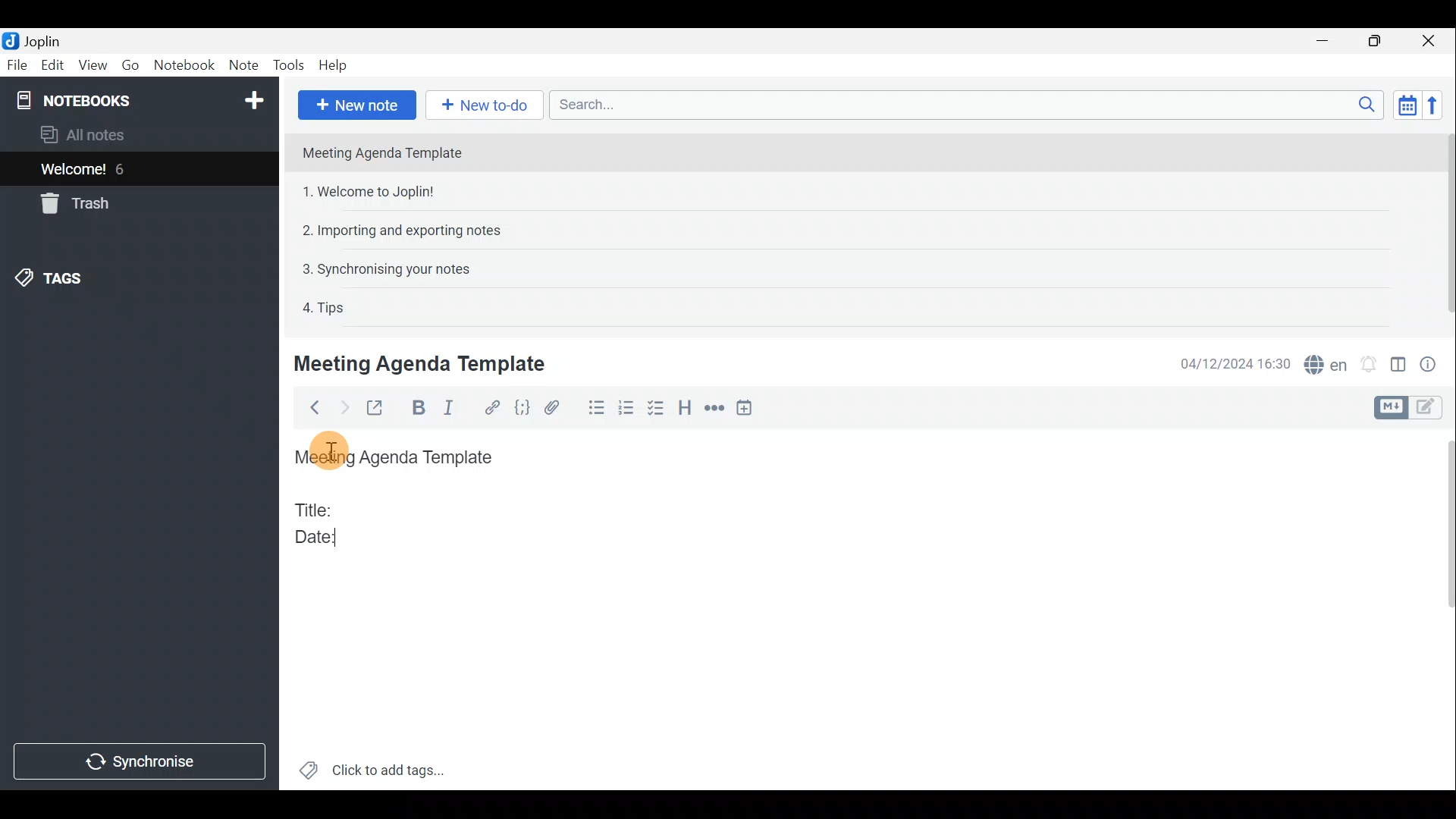 The image size is (1456, 819). I want to click on Close, so click(1429, 42).